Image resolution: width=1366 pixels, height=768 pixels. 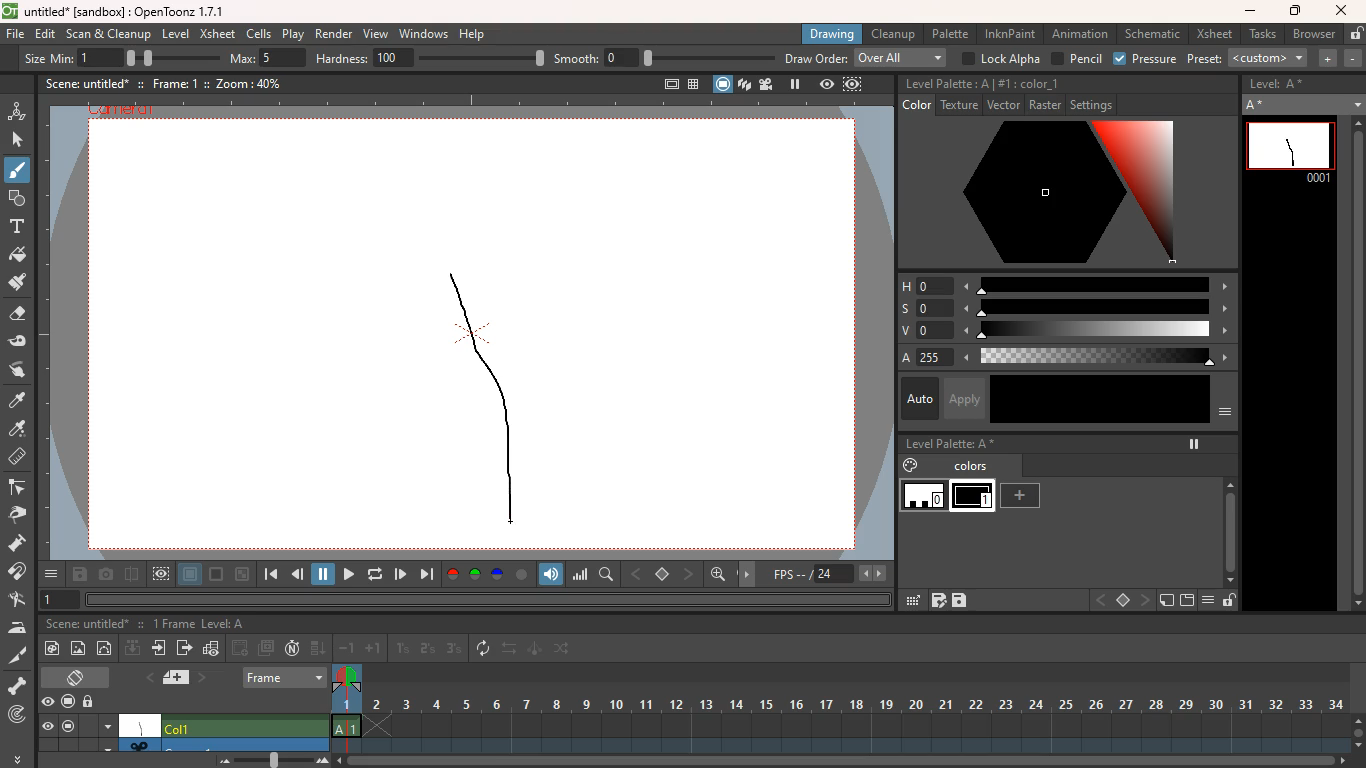 What do you see at coordinates (107, 650) in the screenshot?
I see `circle` at bounding box center [107, 650].